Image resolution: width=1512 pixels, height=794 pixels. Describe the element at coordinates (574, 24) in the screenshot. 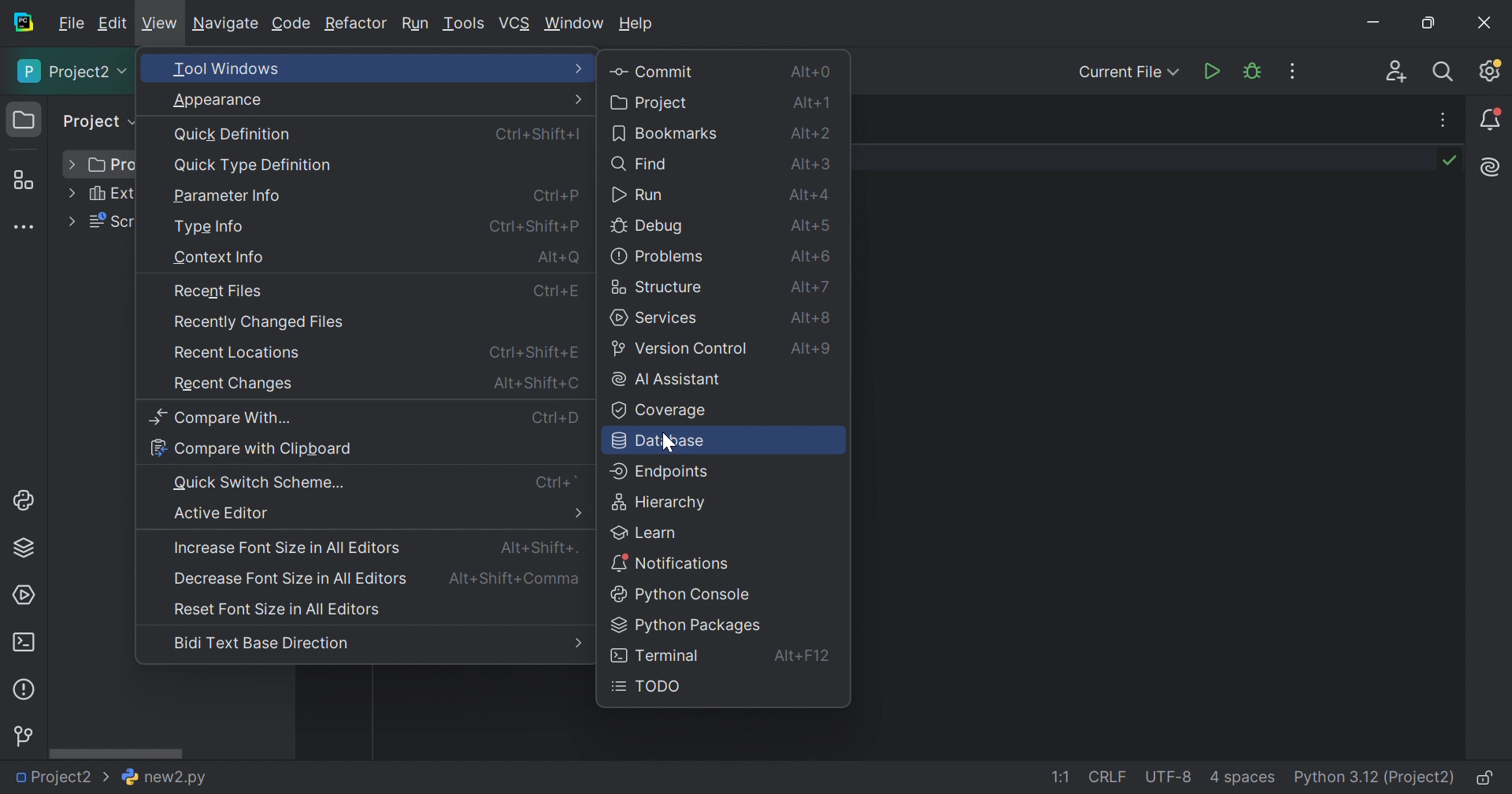

I see `Windows` at that location.